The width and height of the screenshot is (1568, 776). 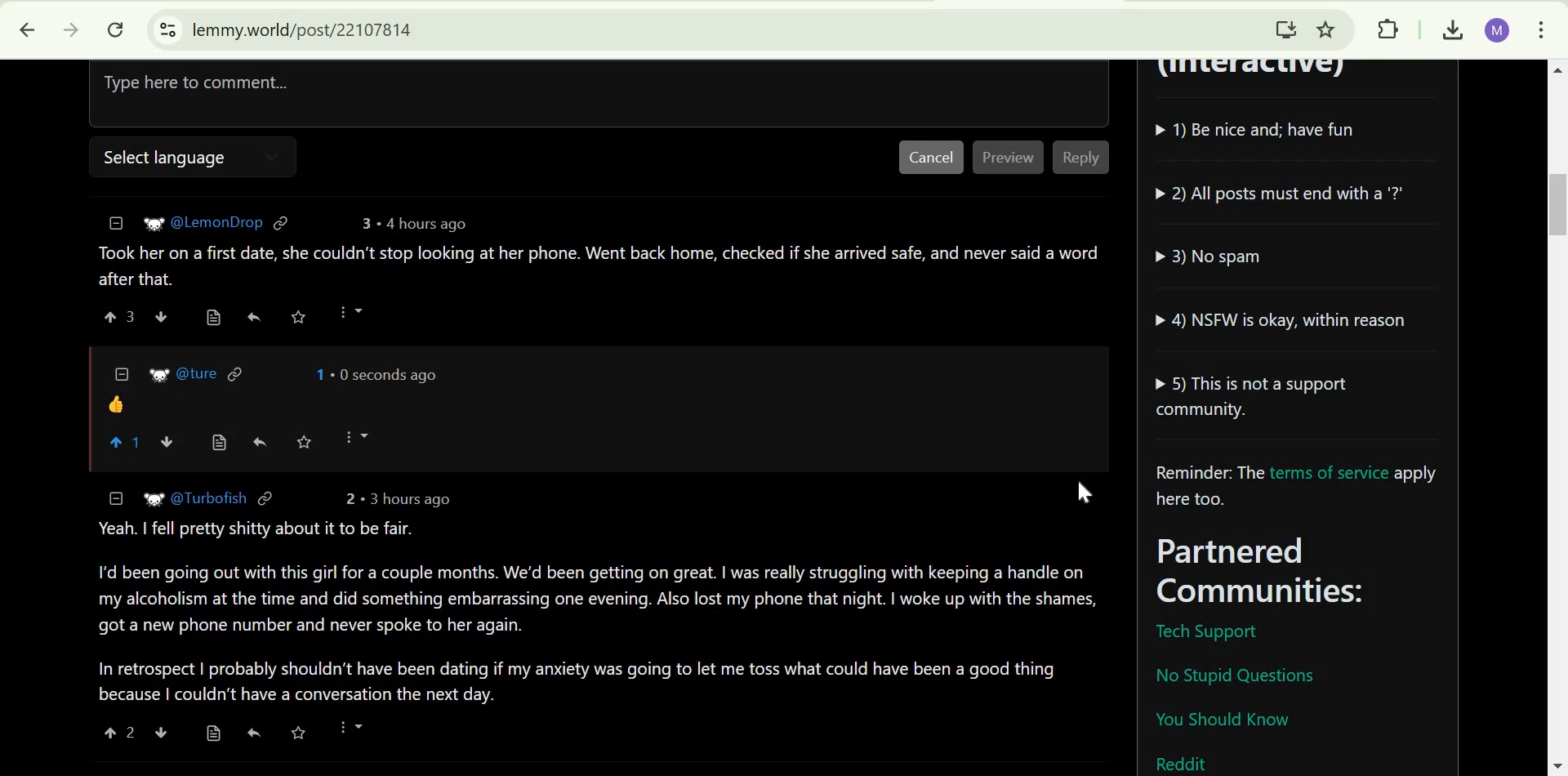 I want to click on upvote, so click(x=117, y=732).